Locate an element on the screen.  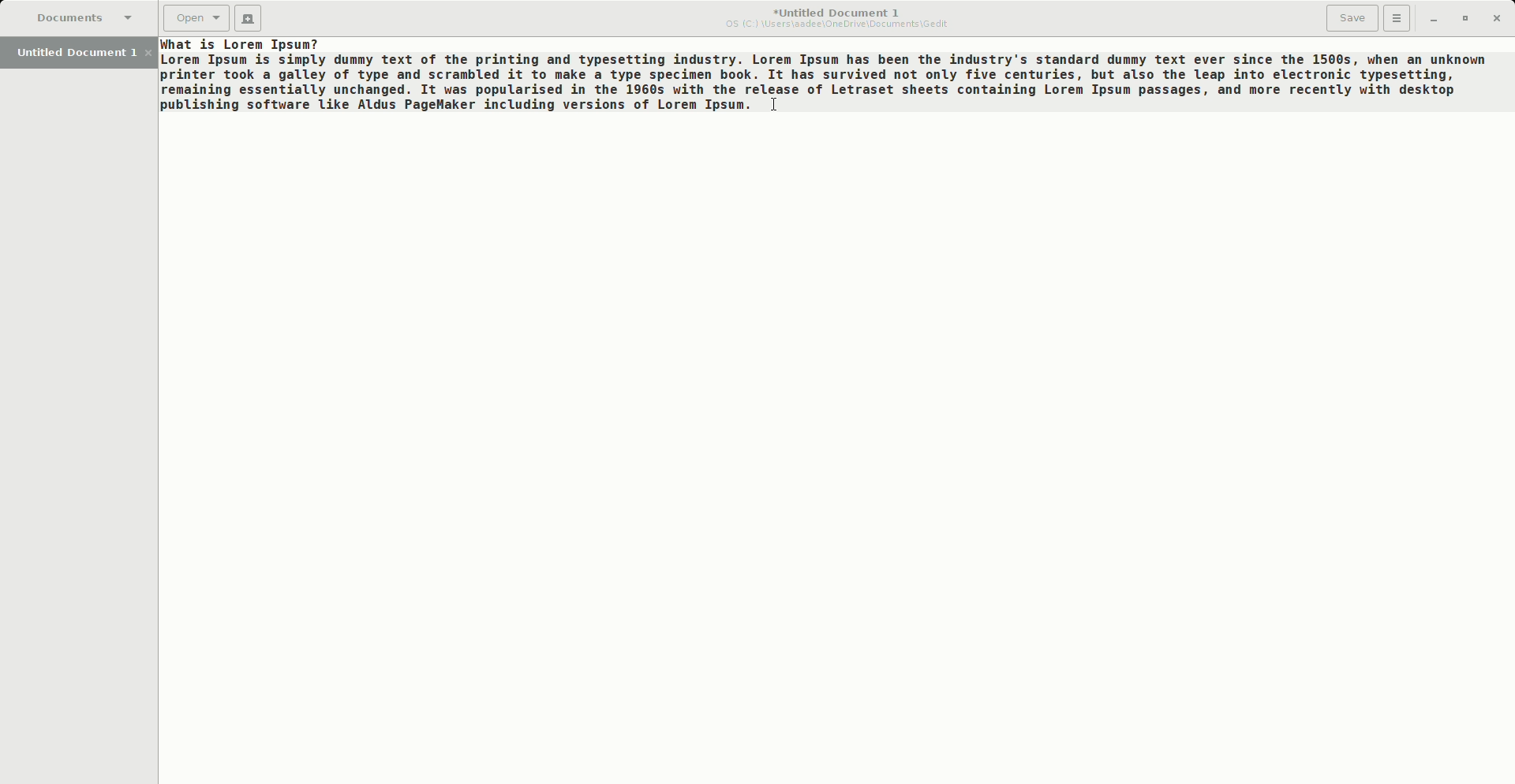
Close is located at coordinates (1497, 17).